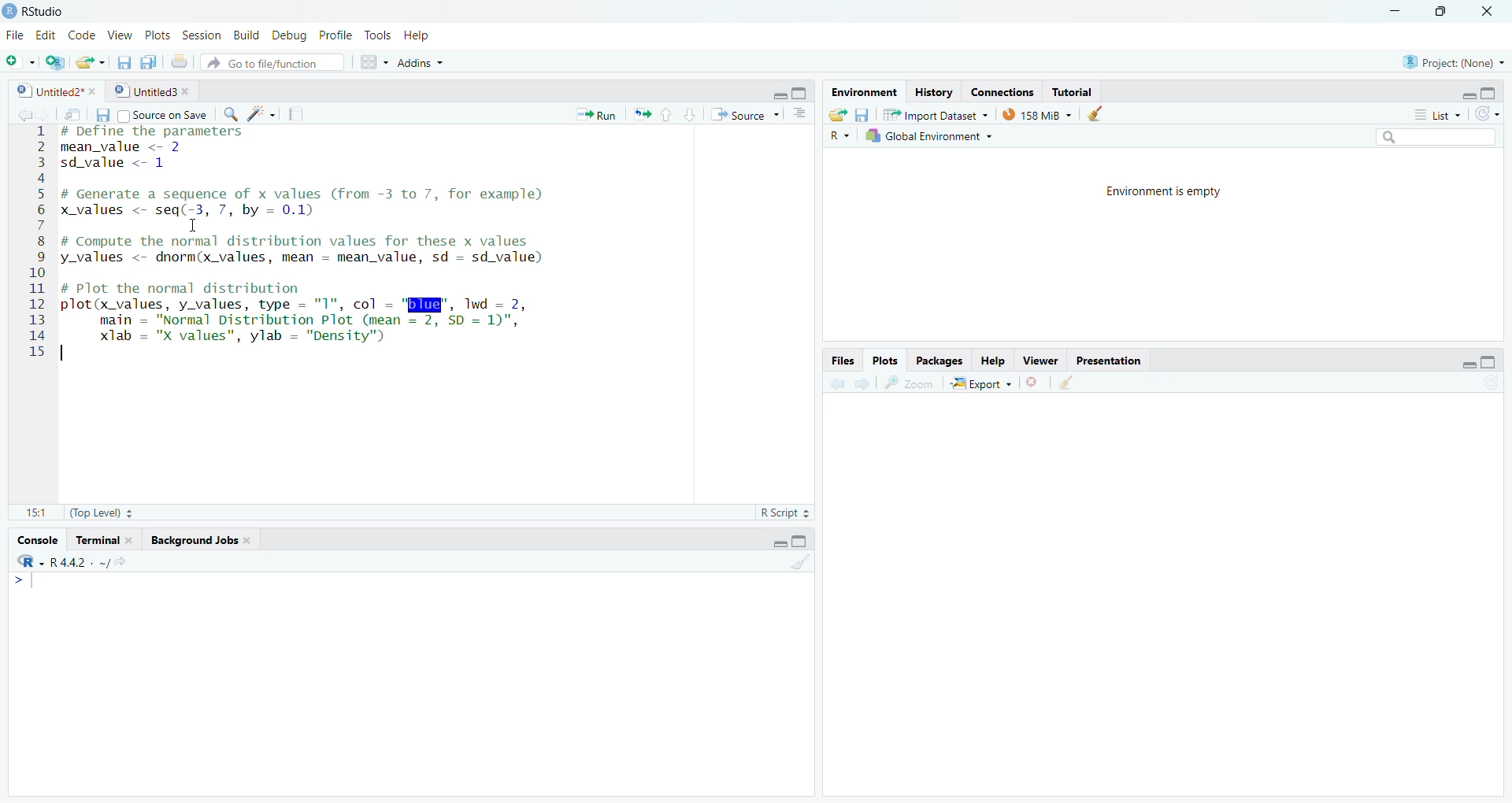 The height and width of the screenshot is (803, 1512). Describe the element at coordinates (1492, 115) in the screenshot. I see `Refresh` at that location.